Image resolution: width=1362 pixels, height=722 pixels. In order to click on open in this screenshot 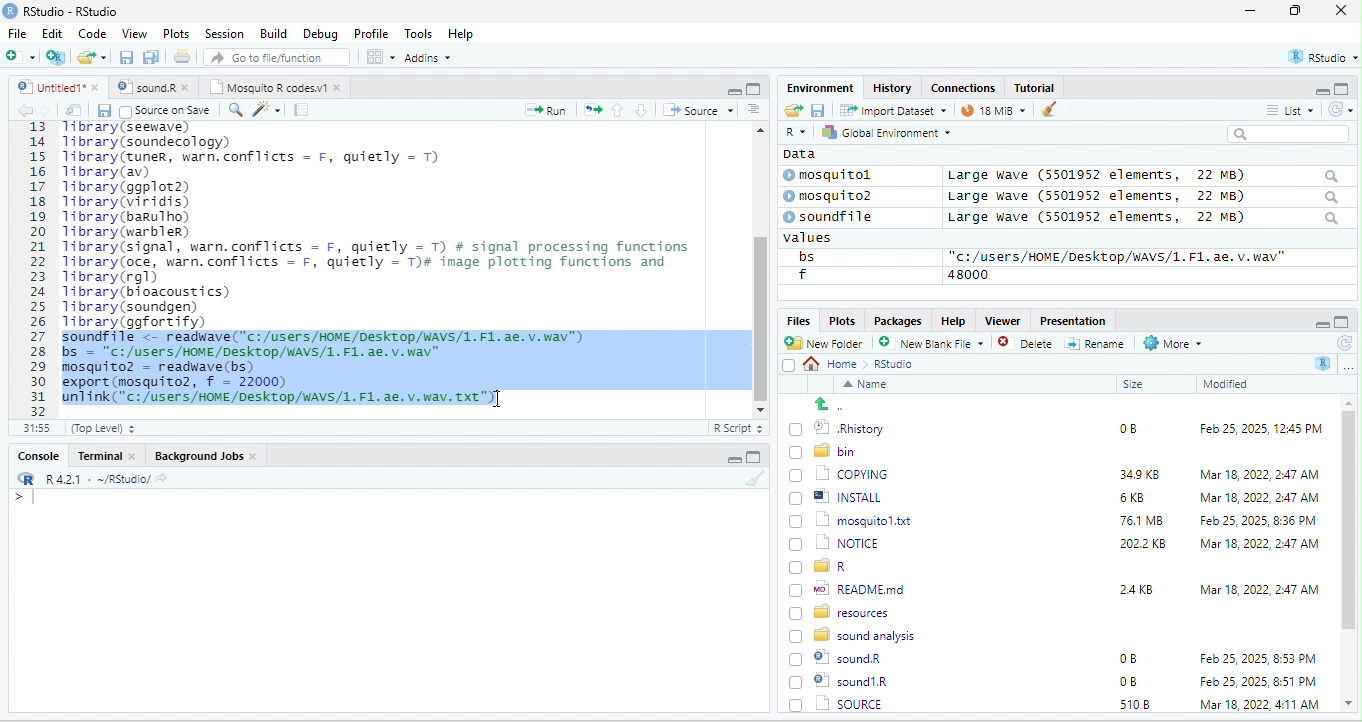, I will do `click(184, 59)`.